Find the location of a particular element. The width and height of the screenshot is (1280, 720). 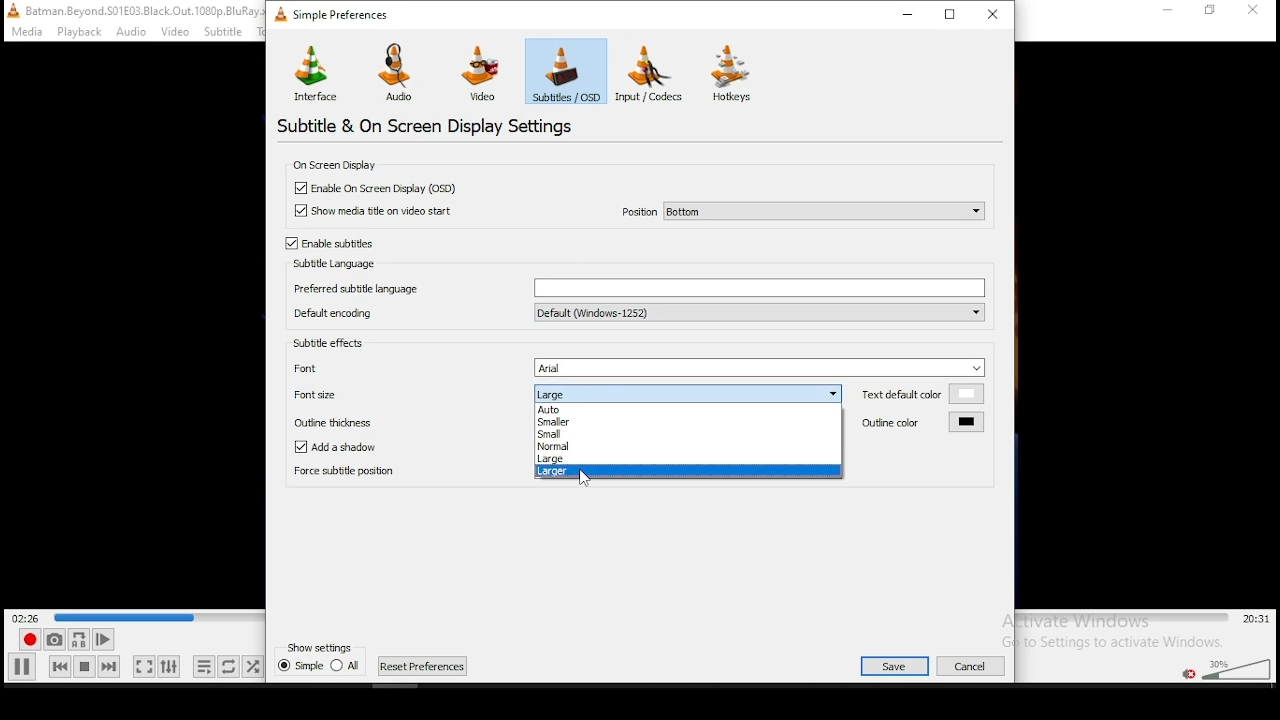

large is located at coordinates (687, 459).